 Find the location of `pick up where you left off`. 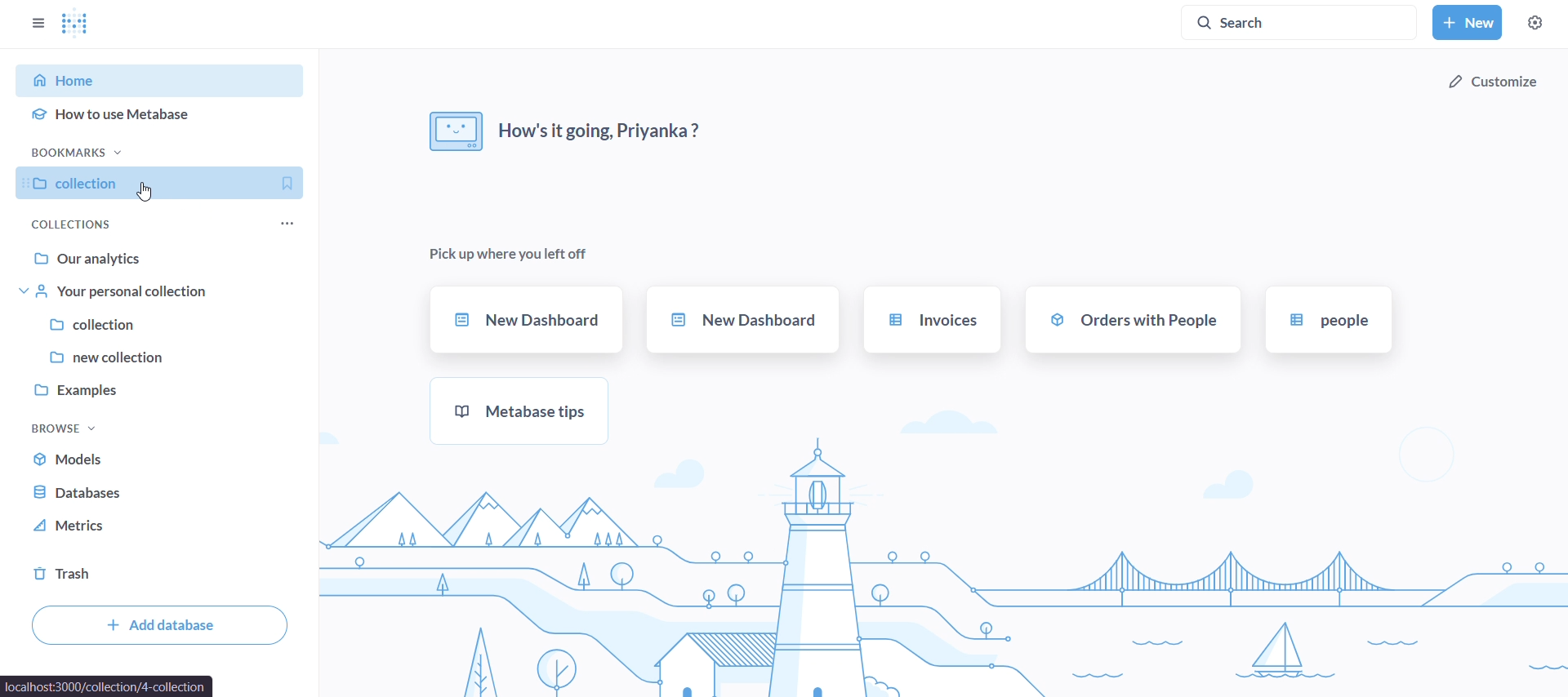

pick up where you left off is located at coordinates (515, 257).